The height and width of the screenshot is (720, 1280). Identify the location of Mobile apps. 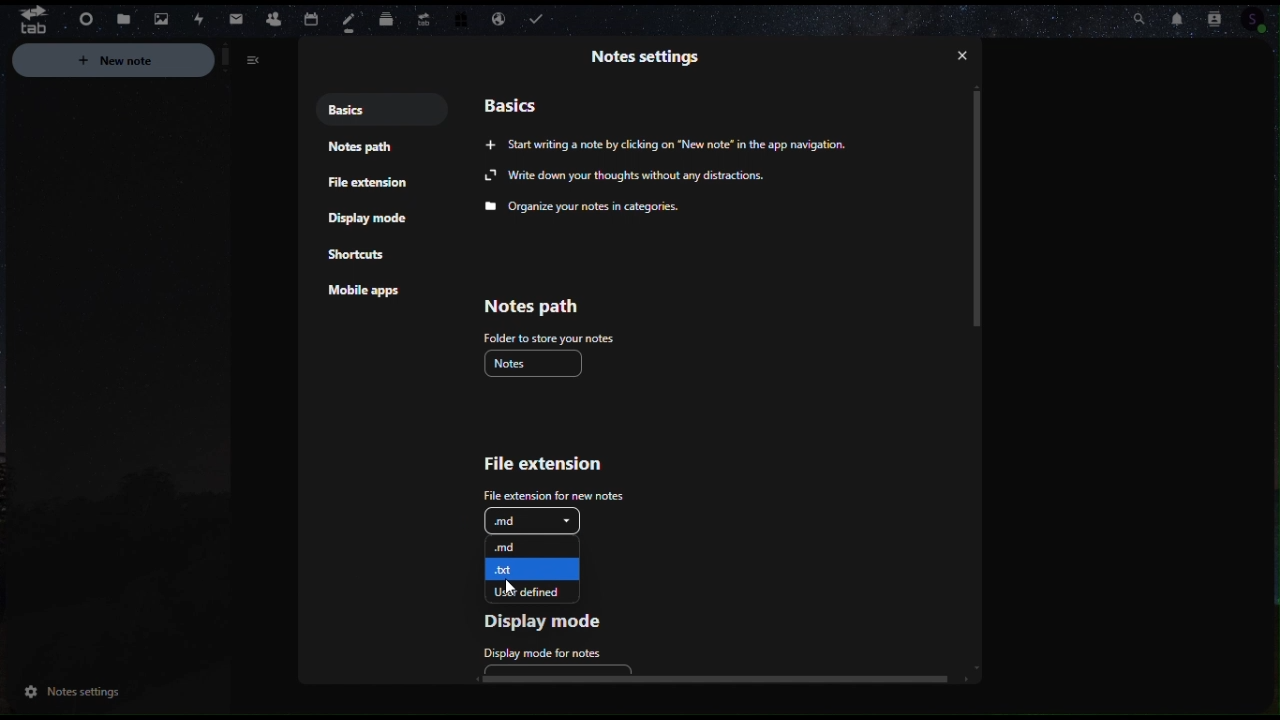
(370, 294).